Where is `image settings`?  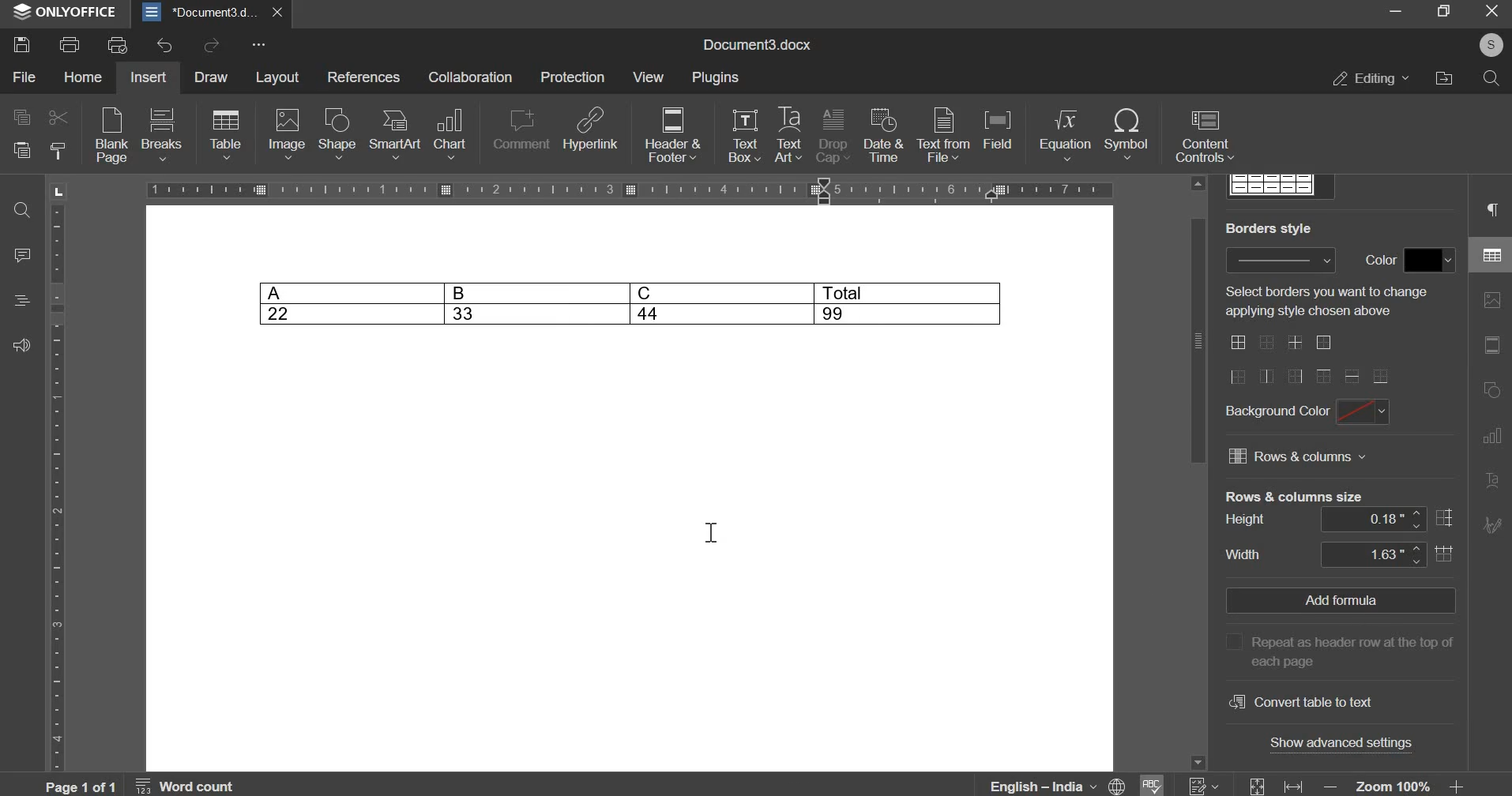 image settings is located at coordinates (1492, 299).